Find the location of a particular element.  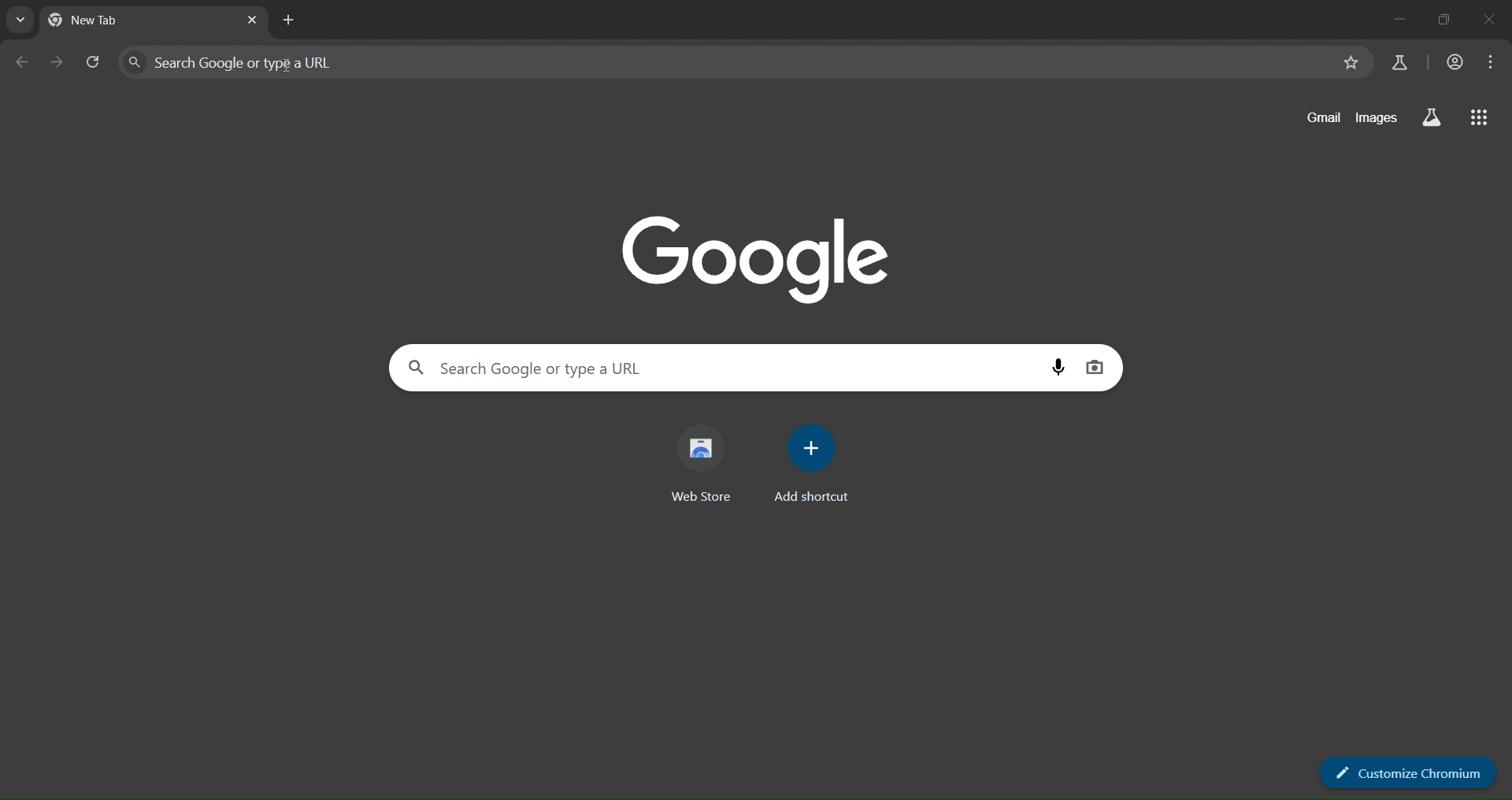

New Tab is located at coordinates (106, 20).